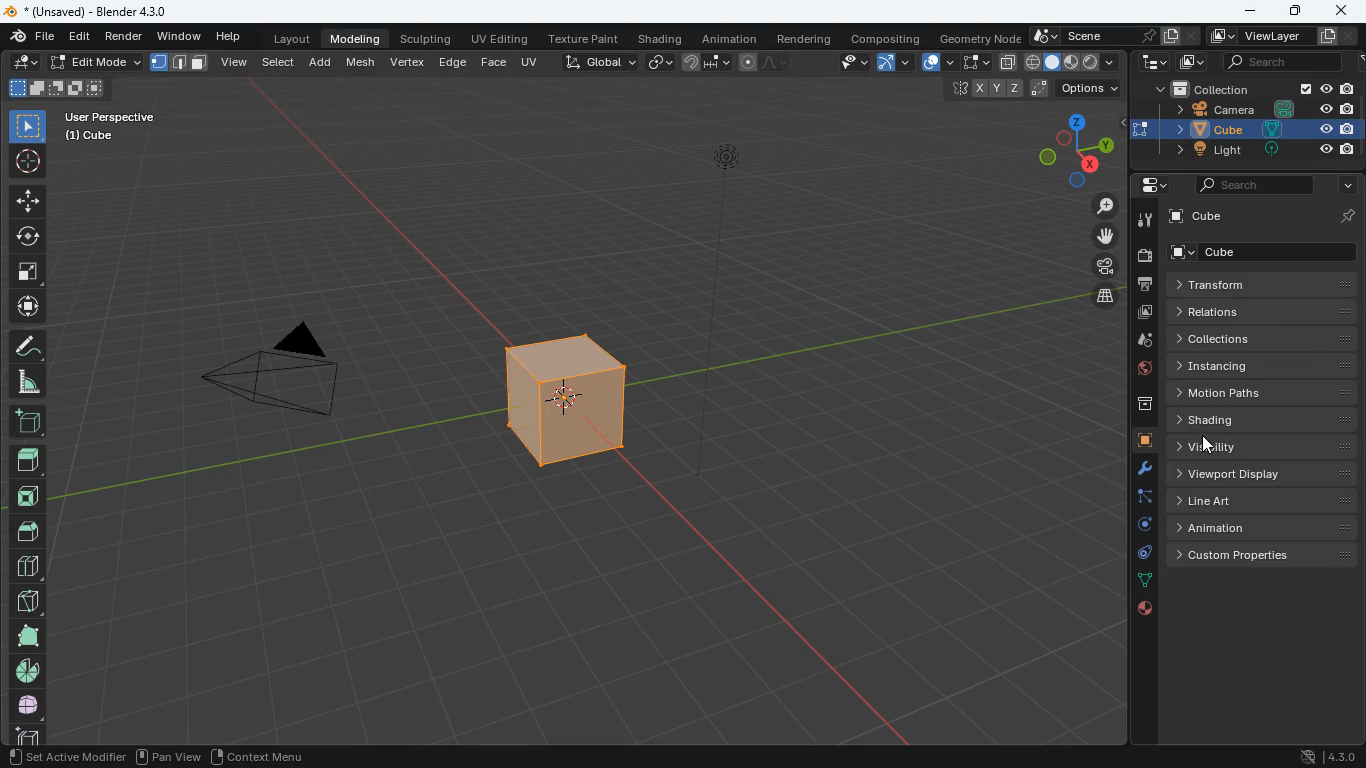  I want to click on draw, so click(29, 348).